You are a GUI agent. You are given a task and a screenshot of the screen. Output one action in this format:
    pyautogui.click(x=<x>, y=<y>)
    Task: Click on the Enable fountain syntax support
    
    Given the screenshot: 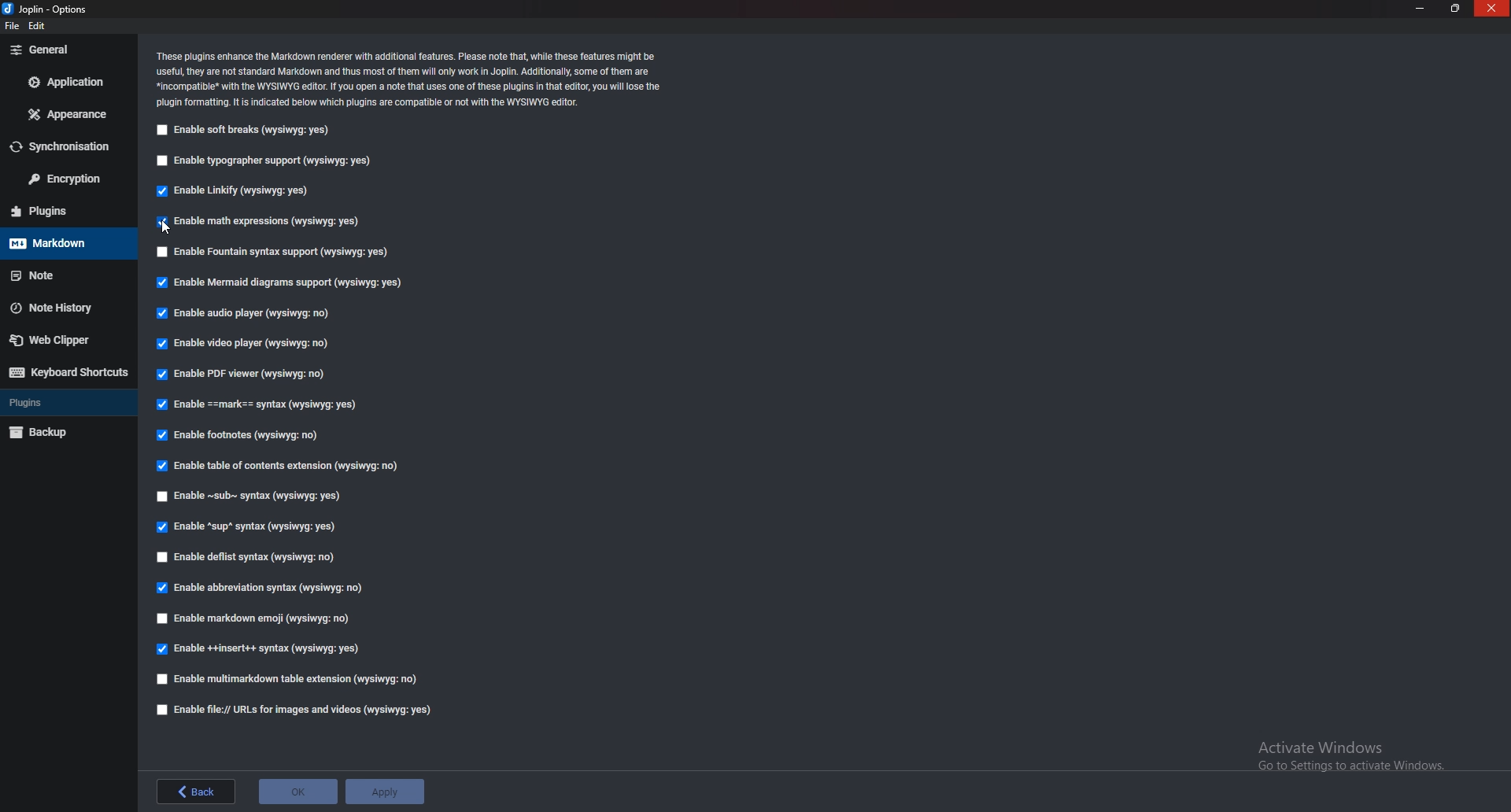 What is the action you would take?
    pyautogui.click(x=282, y=252)
    